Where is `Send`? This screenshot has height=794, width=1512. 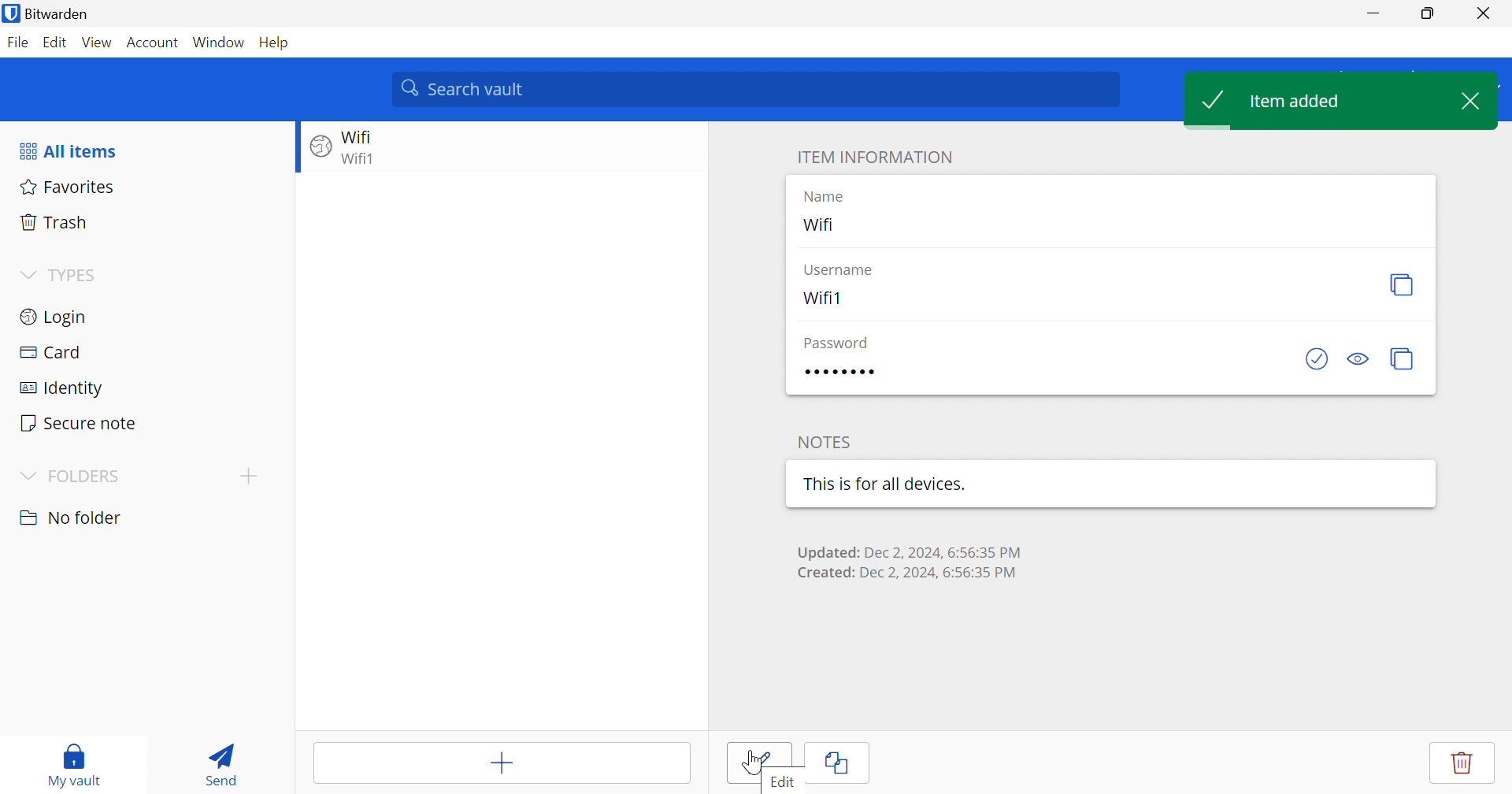 Send is located at coordinates (217, 761).